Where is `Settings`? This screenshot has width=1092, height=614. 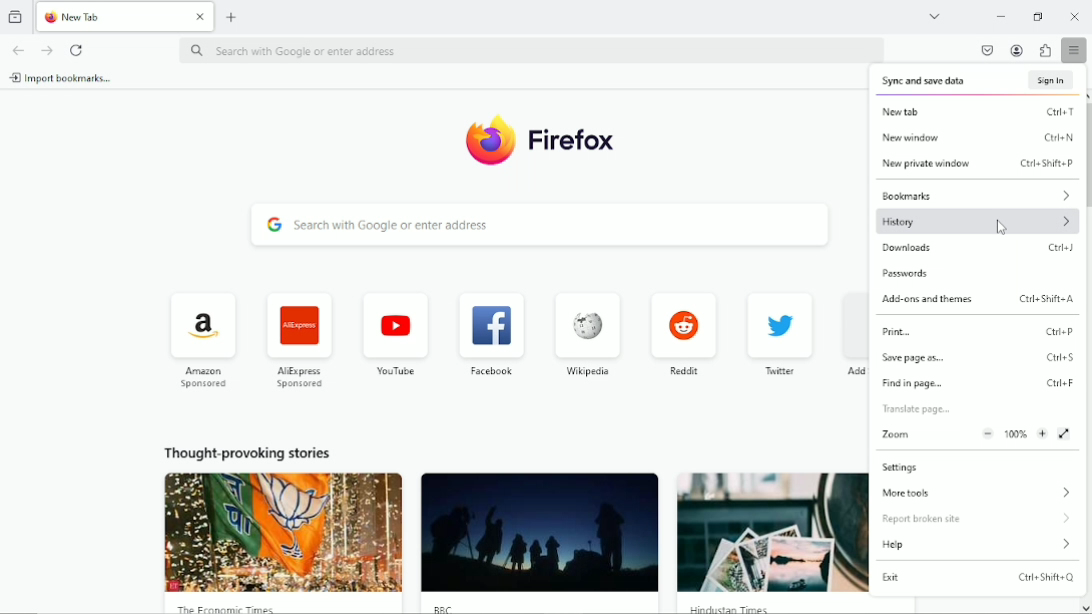
Settings is located at coordinates (909, 468).